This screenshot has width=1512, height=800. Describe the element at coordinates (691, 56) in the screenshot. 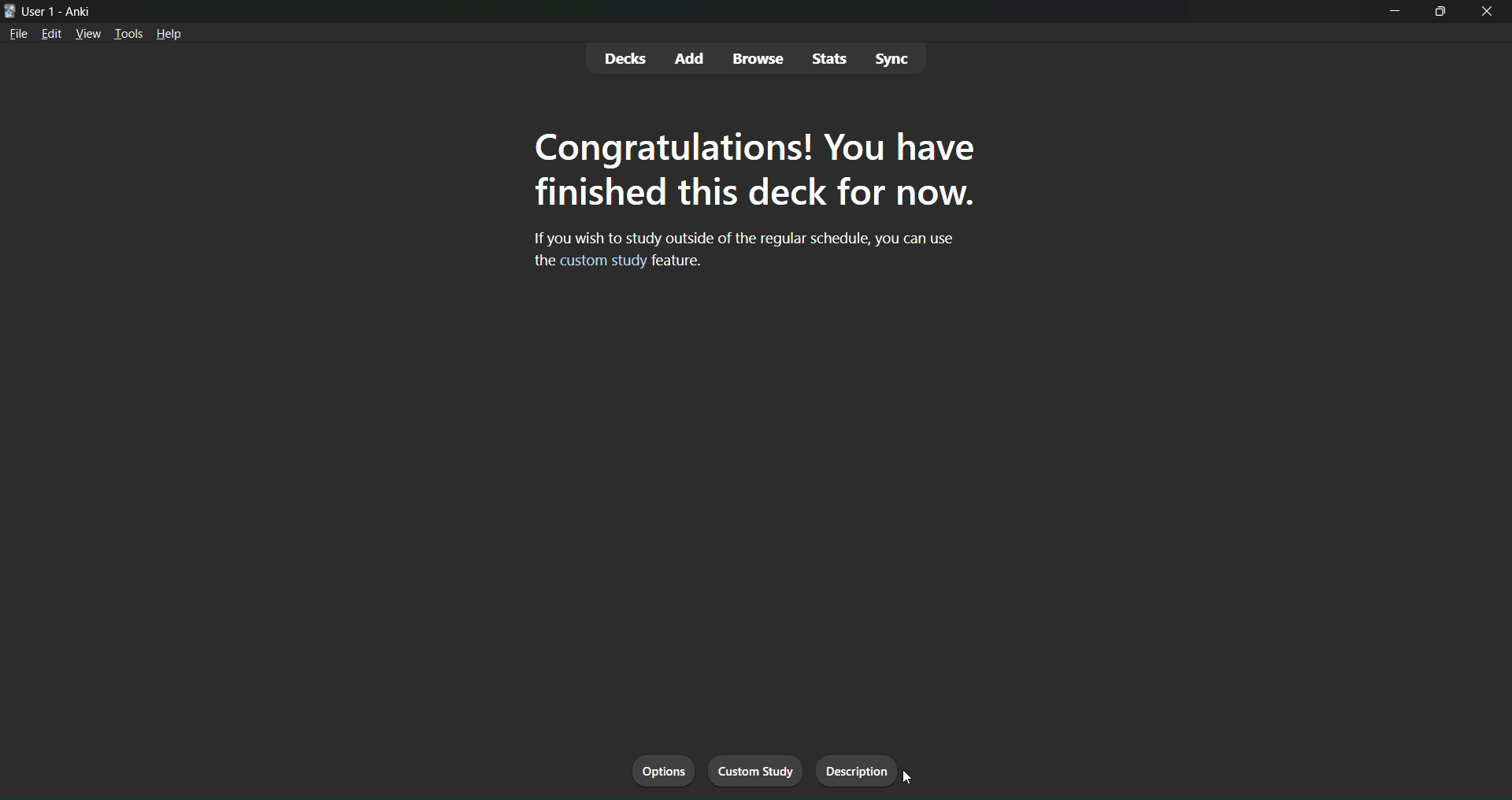

I see `add` at that location.